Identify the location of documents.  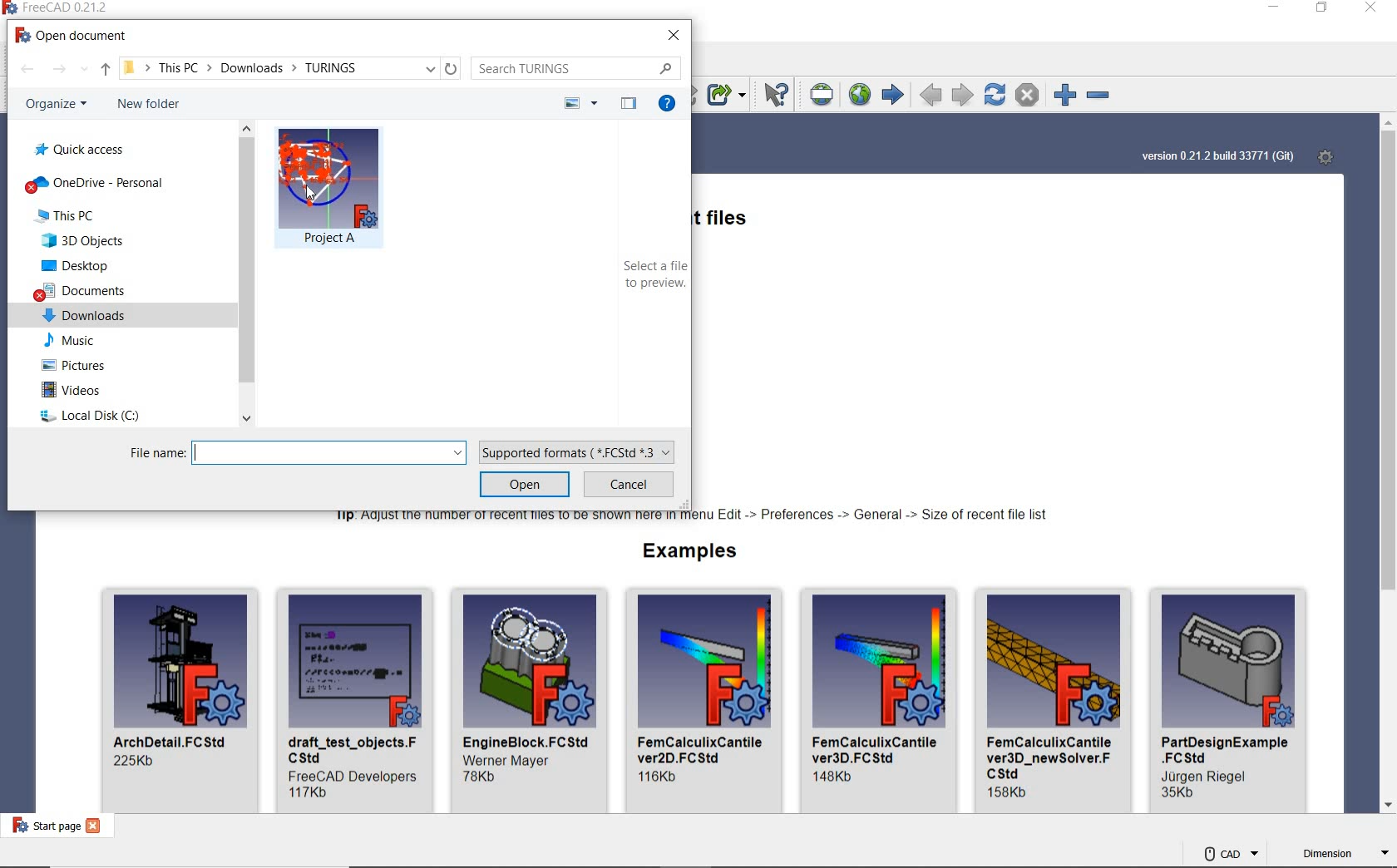
(86, 289).